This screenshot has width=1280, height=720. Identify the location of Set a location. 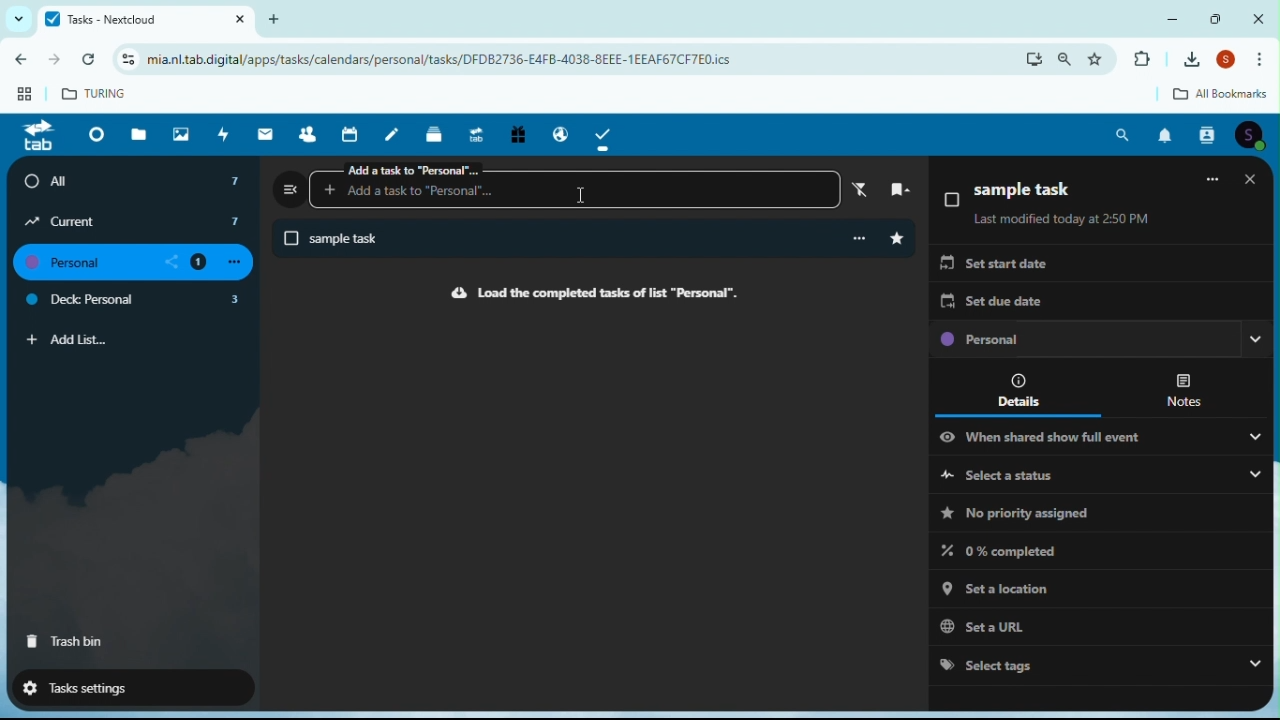
(1089, 585).